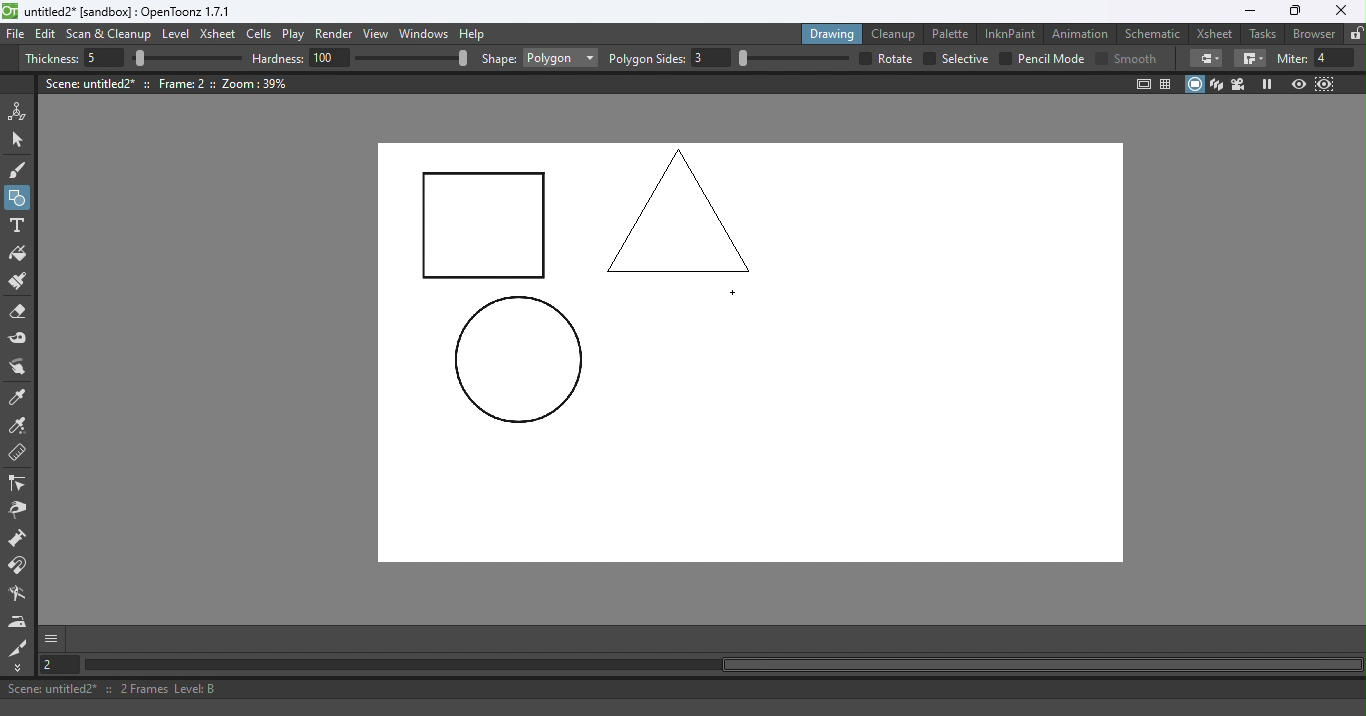  I want to click on 100, so click(330, 57).